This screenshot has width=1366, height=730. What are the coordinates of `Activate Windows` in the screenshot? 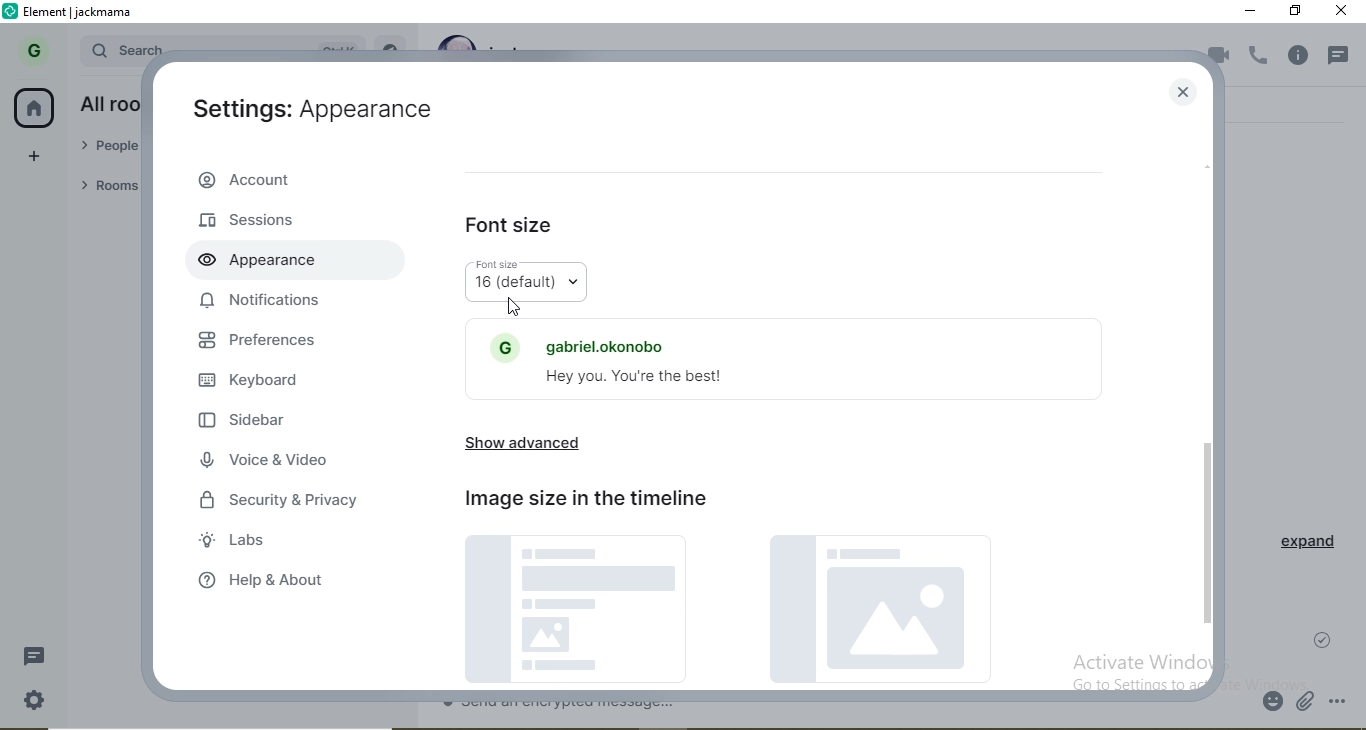 It's located at (1143, 660).